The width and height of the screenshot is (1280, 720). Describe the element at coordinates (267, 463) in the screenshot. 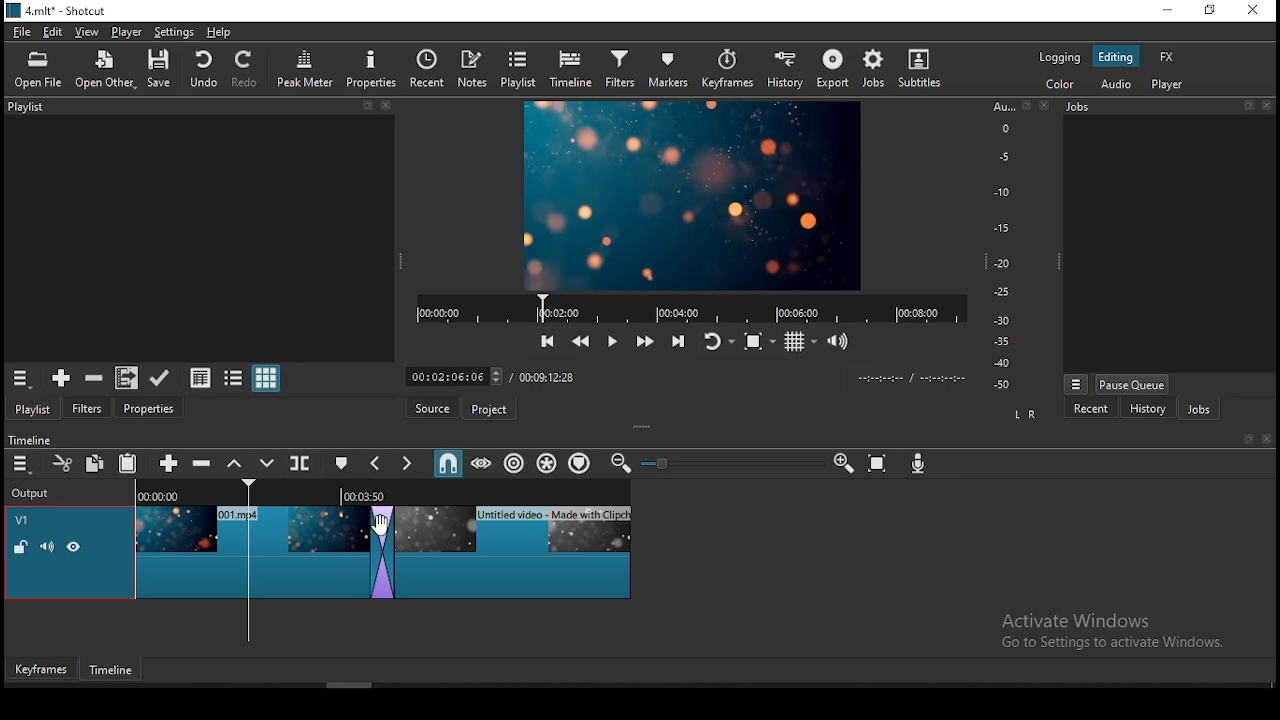

I see `overwrite` at that location.